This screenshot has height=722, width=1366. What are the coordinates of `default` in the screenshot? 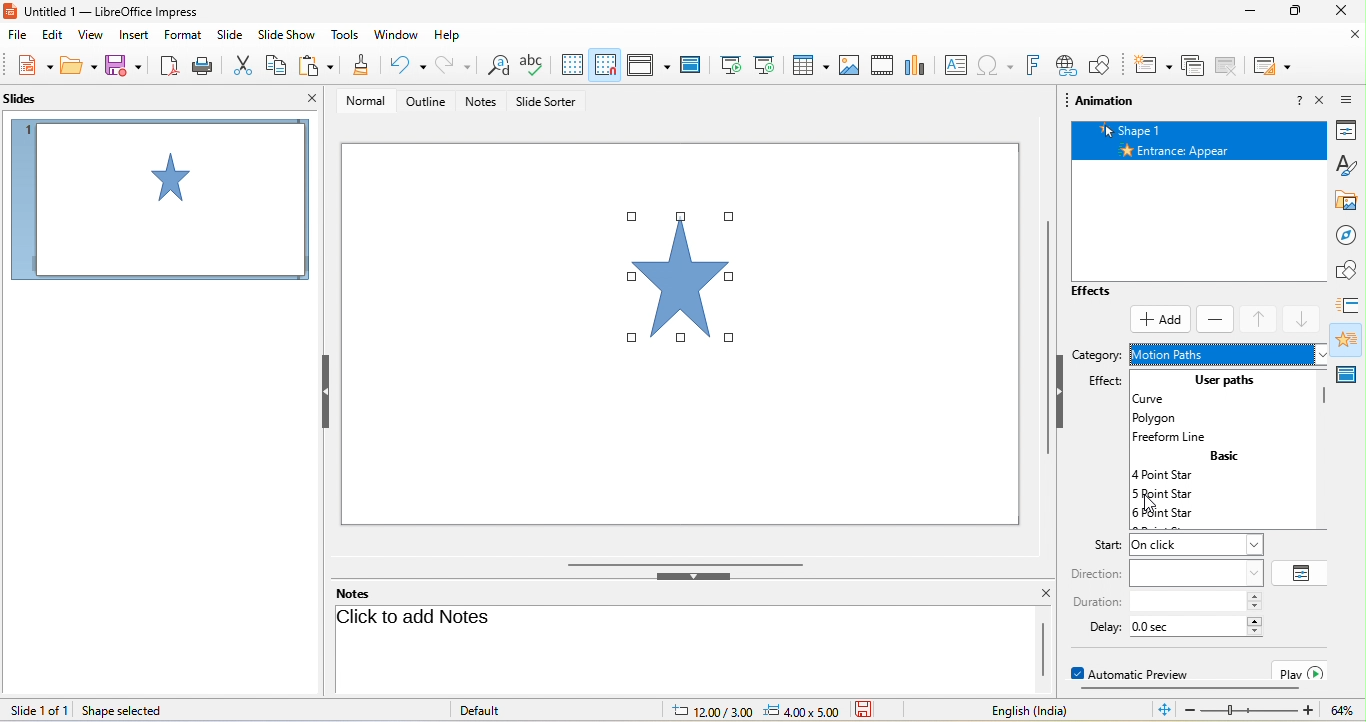 It's located at (482, 710).